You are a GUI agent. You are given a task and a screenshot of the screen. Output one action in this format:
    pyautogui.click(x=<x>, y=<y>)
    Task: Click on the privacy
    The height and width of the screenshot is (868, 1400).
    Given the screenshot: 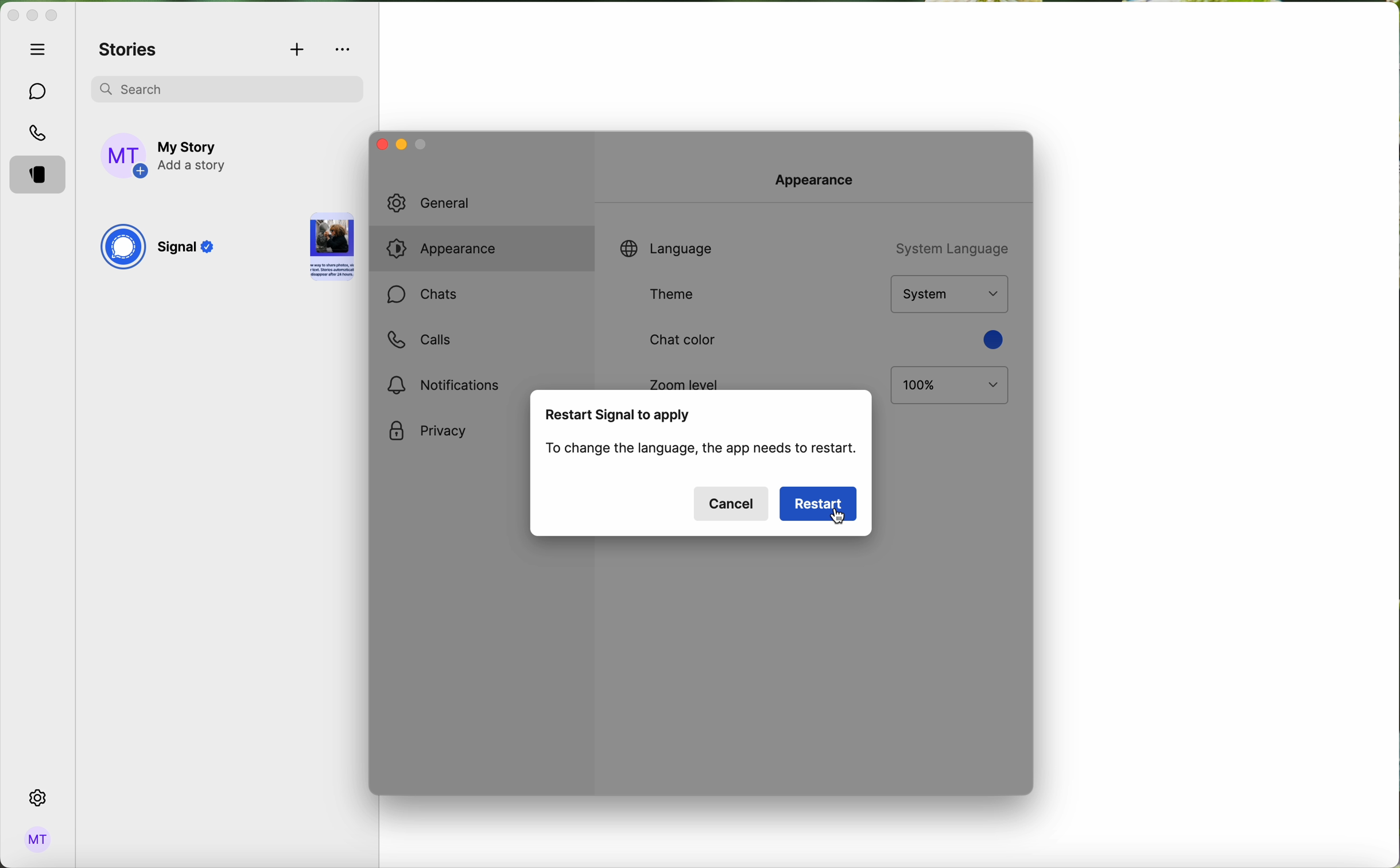 What is the action you would take?
    pyautogui.click(x=428, y=432)
    